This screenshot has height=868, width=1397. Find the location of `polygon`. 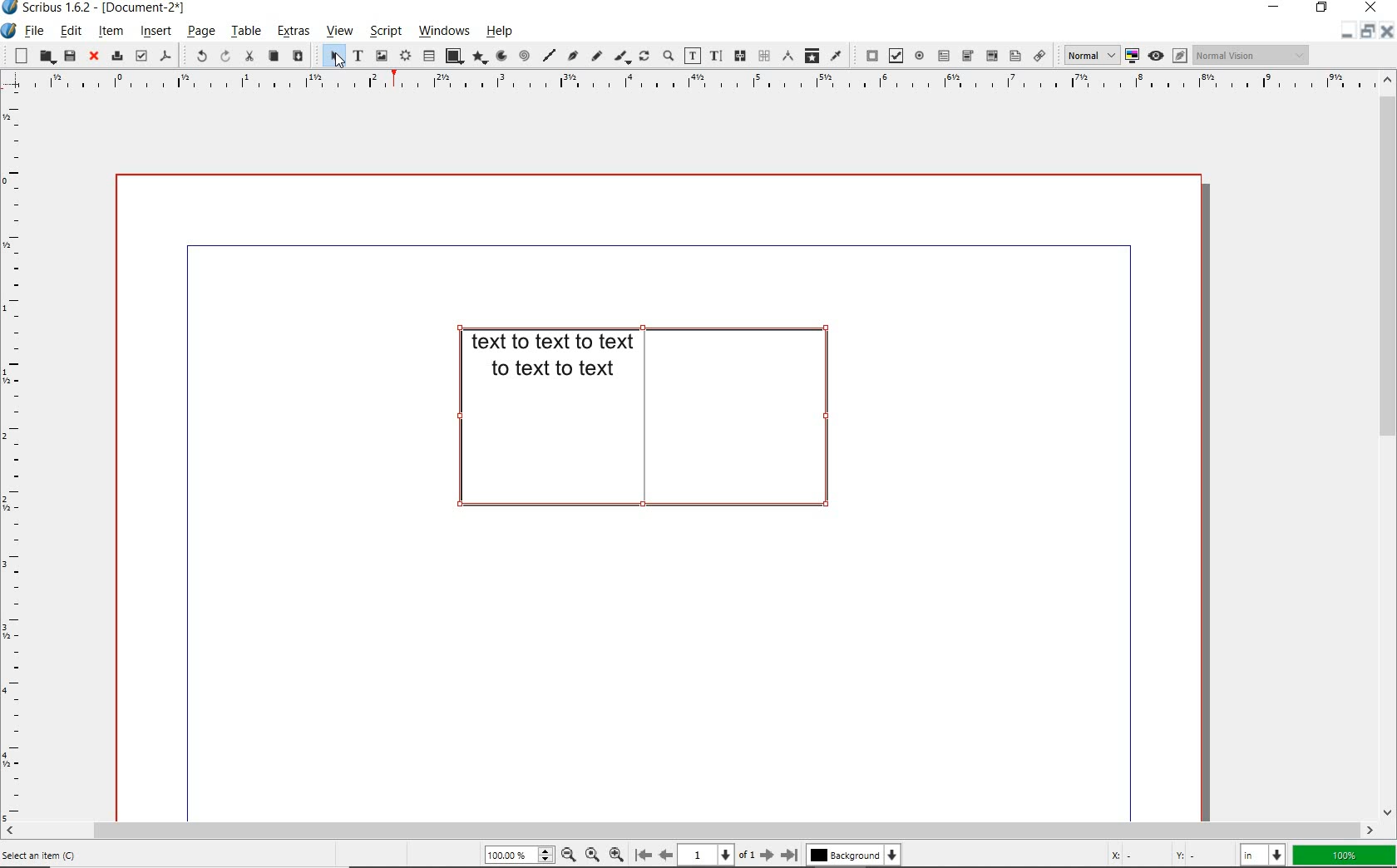

polygon is located at coordinates (477, 57).